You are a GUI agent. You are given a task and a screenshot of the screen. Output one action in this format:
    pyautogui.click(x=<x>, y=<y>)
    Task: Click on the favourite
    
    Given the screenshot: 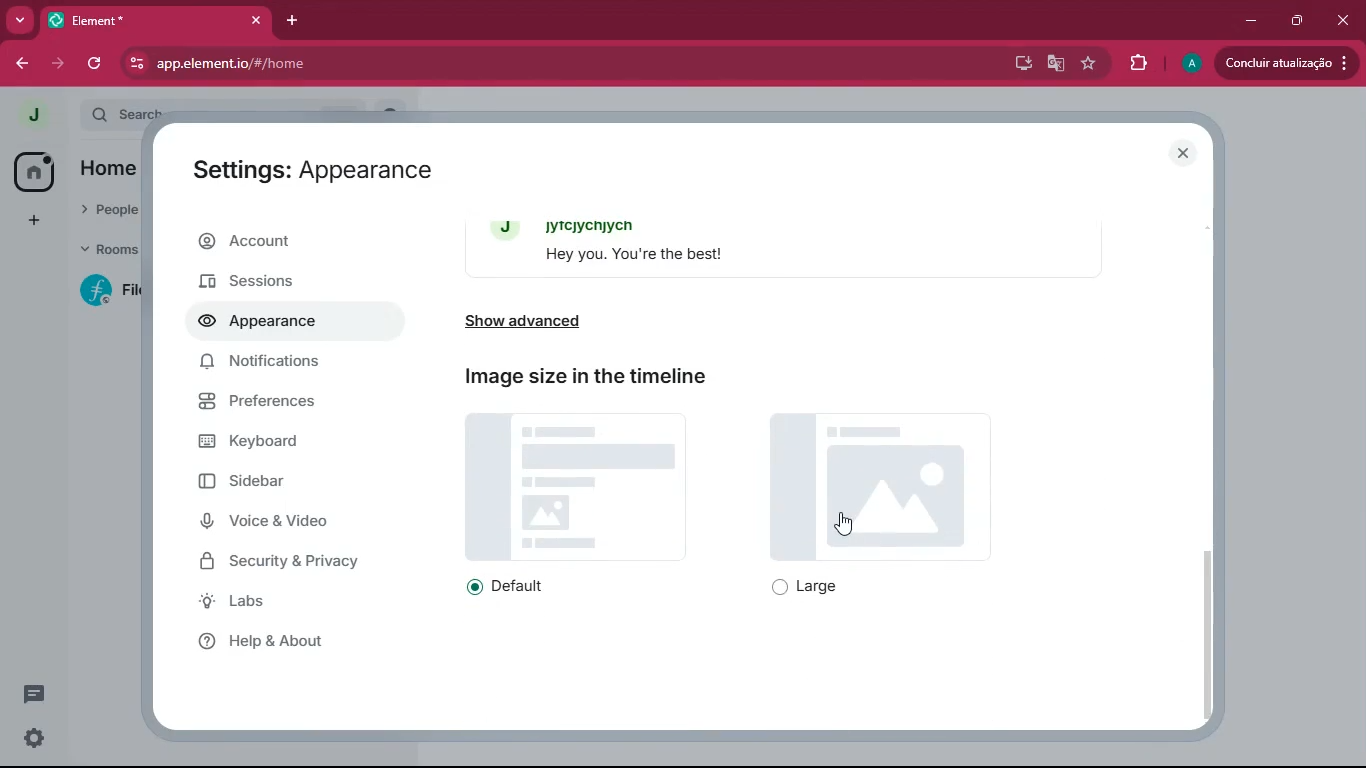 What is the action you would take?
    pyautogui.click(x=1087, y=65)
    